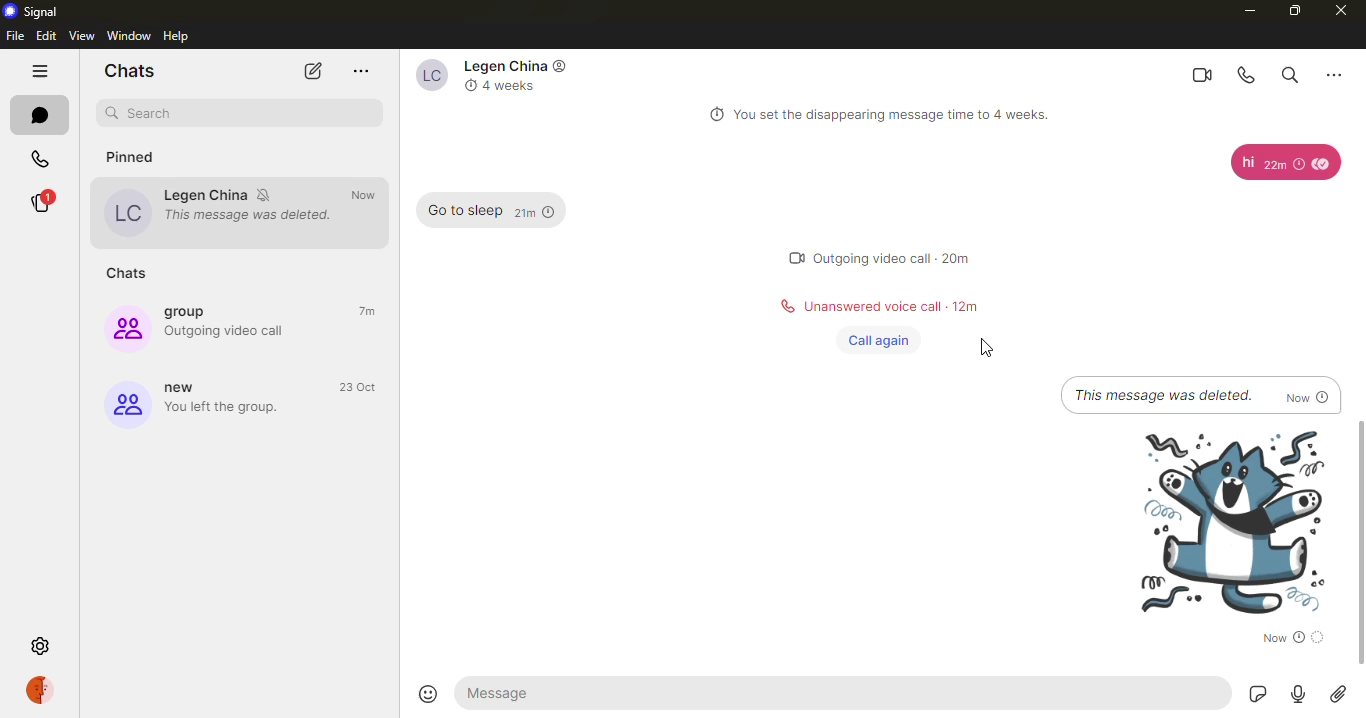 This screenshot has height=718, width=1366. Describe the element at coordinates (132, 71) in the screenshot. I see `chats` at that location.